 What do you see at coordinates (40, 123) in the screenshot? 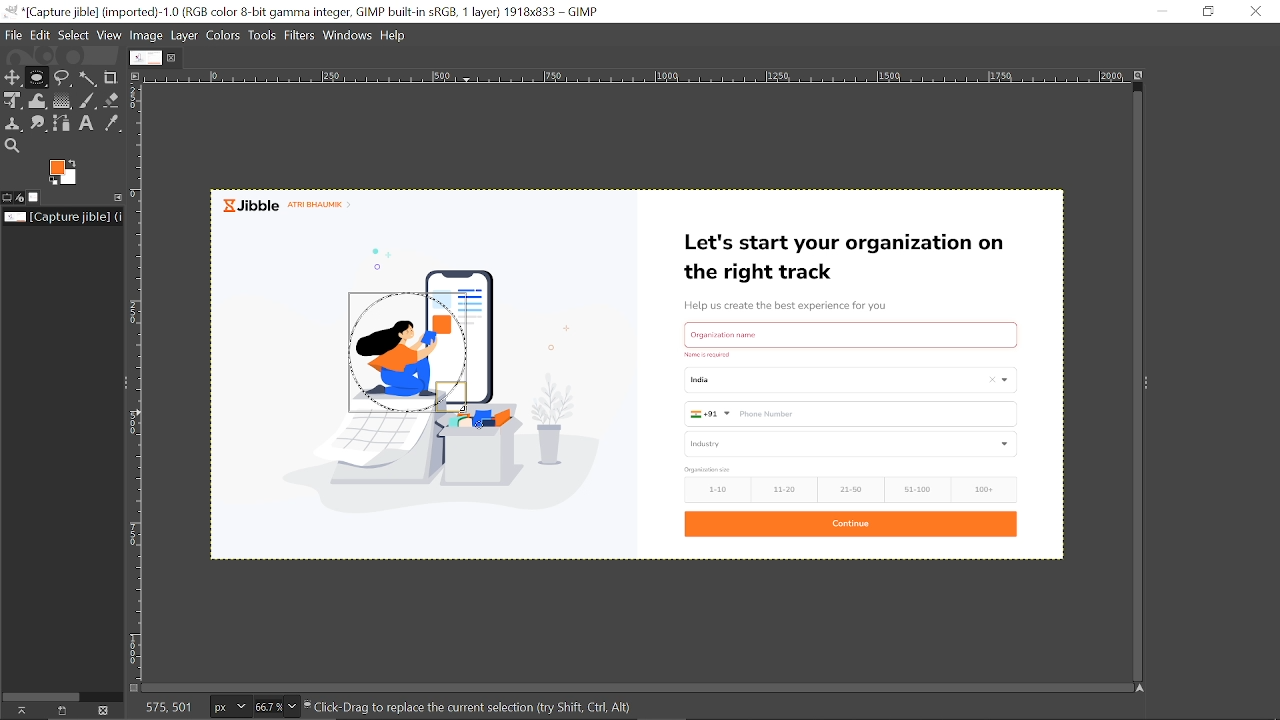
I see `Smudge tool` at bounding box center [40, 123].